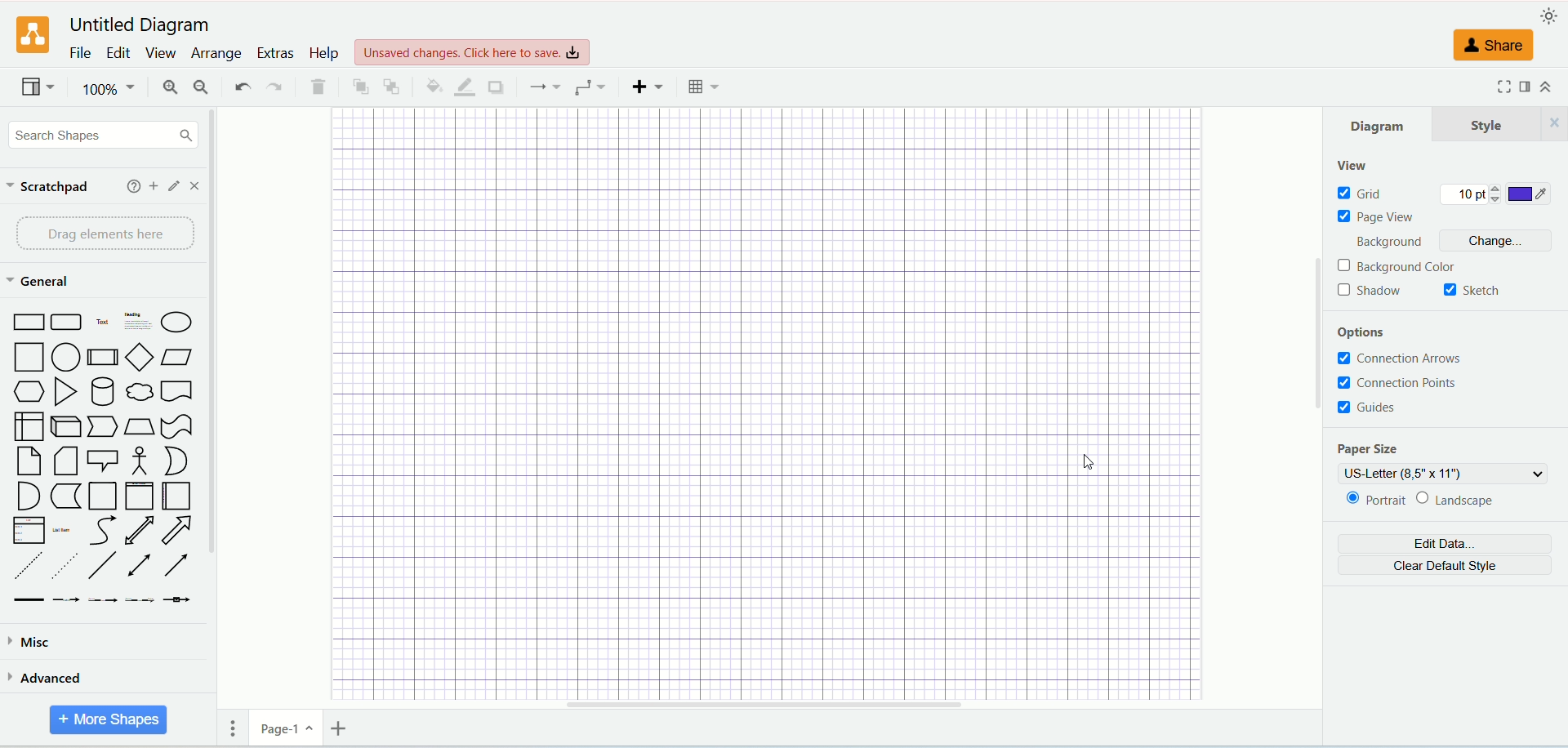 The width and height of the screenshot is (1568, 748). Describe the element at coordinates (106, 532) in the screenshot. I see `Curves` at that location.